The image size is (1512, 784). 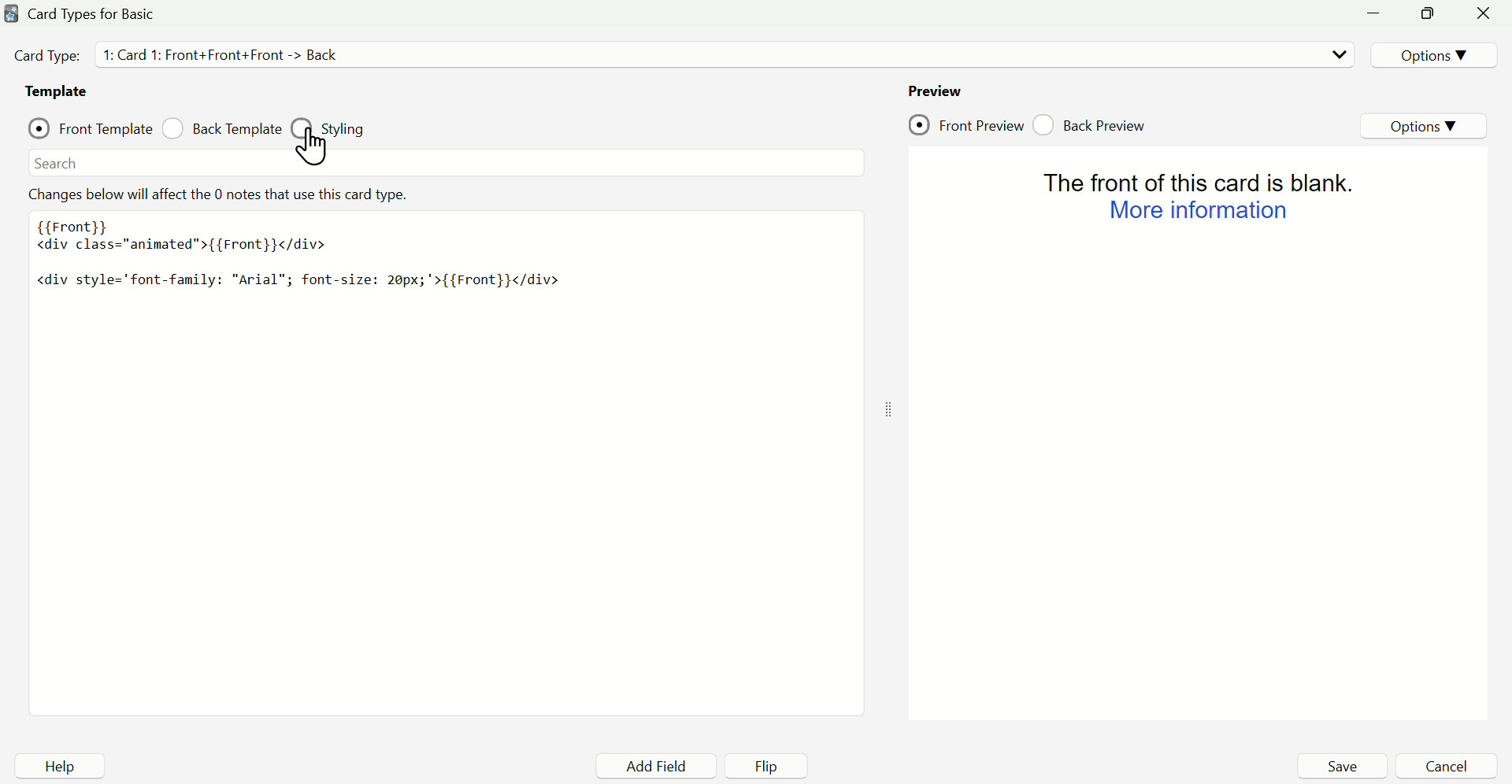 I want to click on Card Type, so click(x=98, y=15).